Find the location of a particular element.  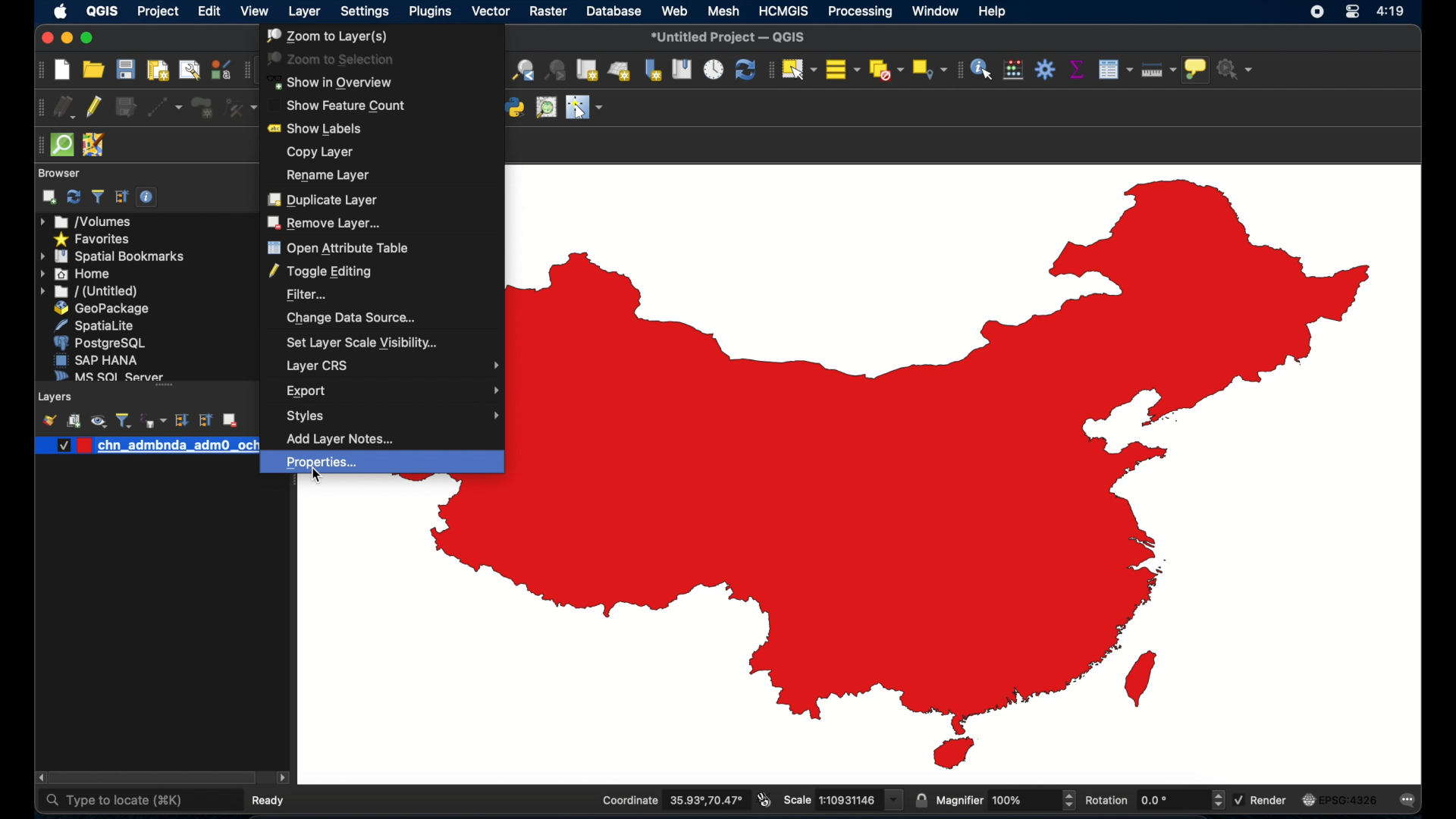

measure line is located at coordinates (1157, 69).